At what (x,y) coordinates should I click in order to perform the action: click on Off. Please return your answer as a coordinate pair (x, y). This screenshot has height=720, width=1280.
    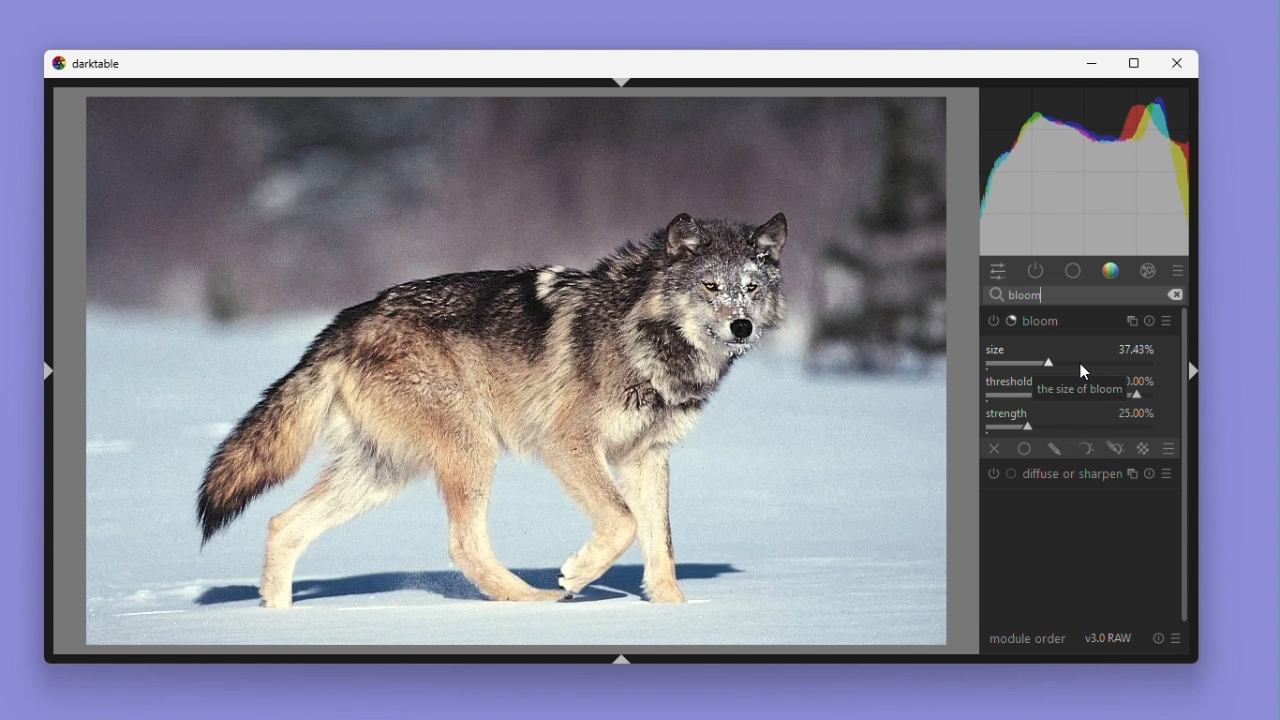
    Looking at the image, I should click on (992, 449).